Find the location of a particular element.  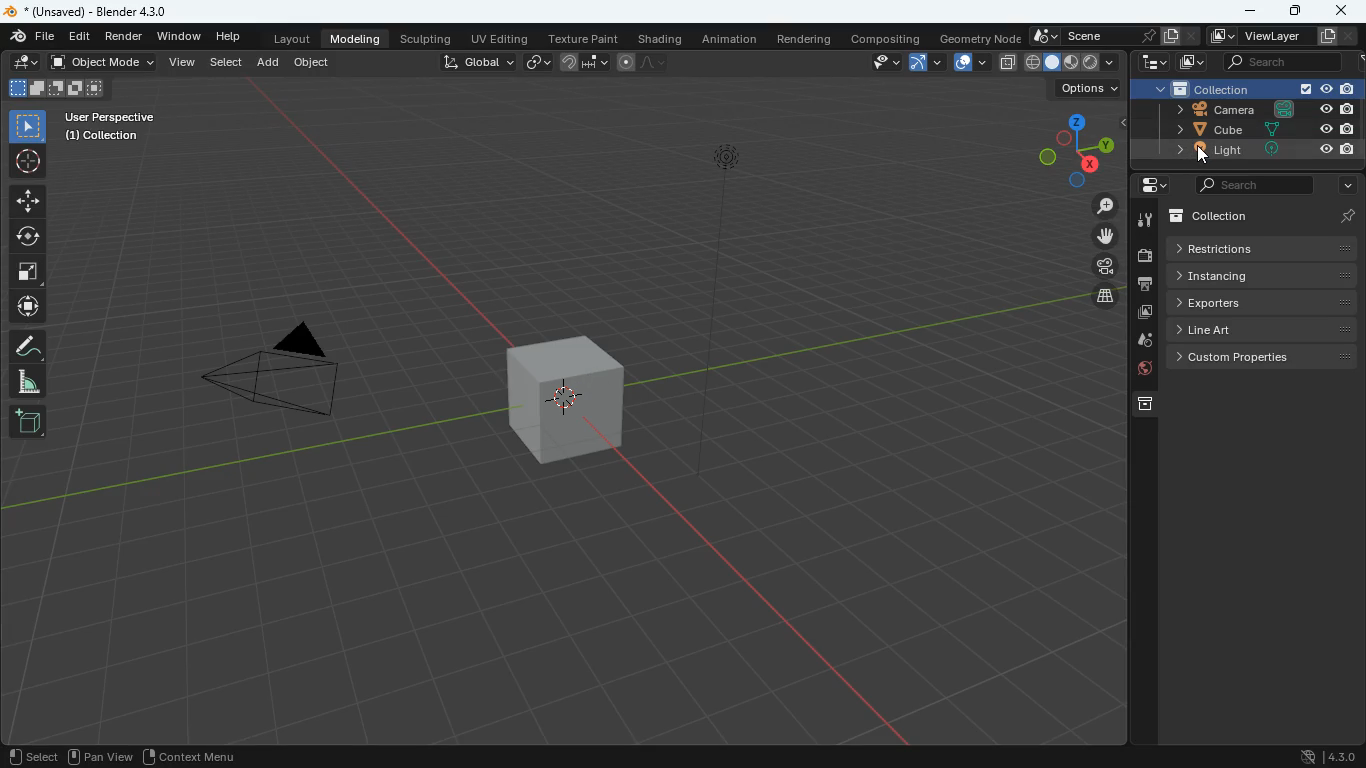

layout is located at coordinates (294, 38).